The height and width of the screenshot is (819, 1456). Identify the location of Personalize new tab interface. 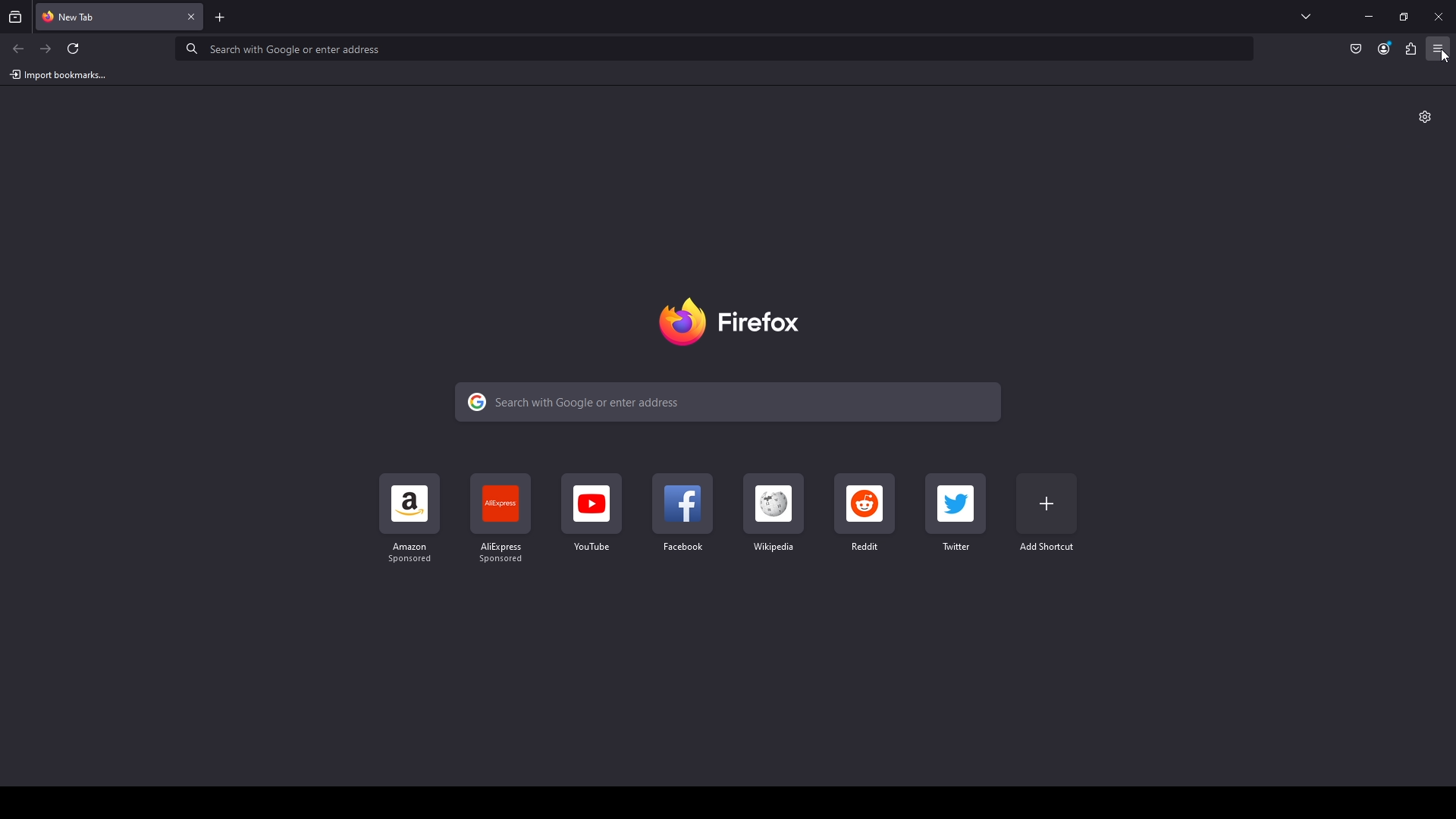
(1426, 117).